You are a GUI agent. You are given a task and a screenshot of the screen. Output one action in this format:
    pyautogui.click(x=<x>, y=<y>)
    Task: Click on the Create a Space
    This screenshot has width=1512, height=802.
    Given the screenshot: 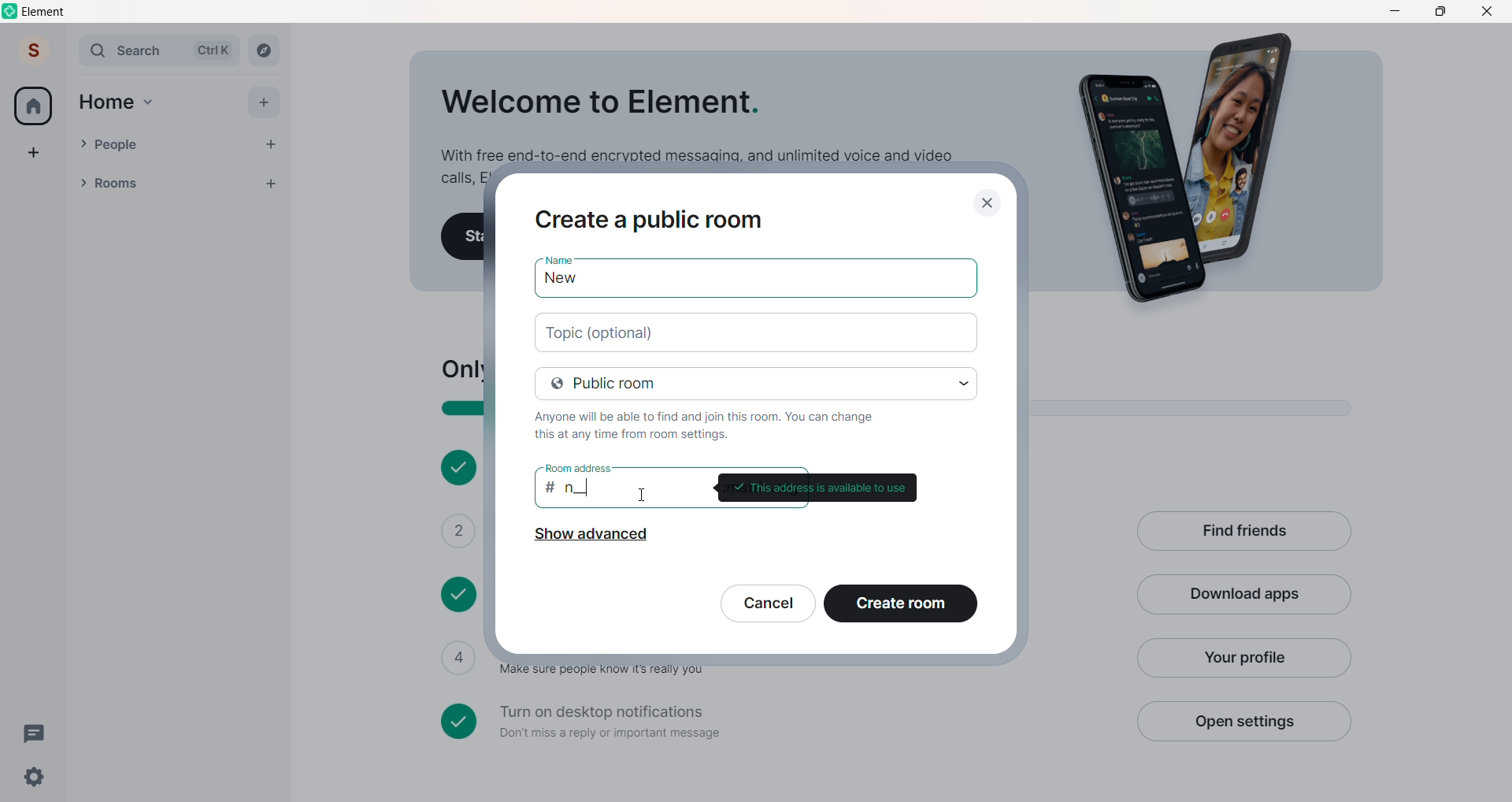 What is the action you would take?
    pyautogui.click(x=34, y=152)
    